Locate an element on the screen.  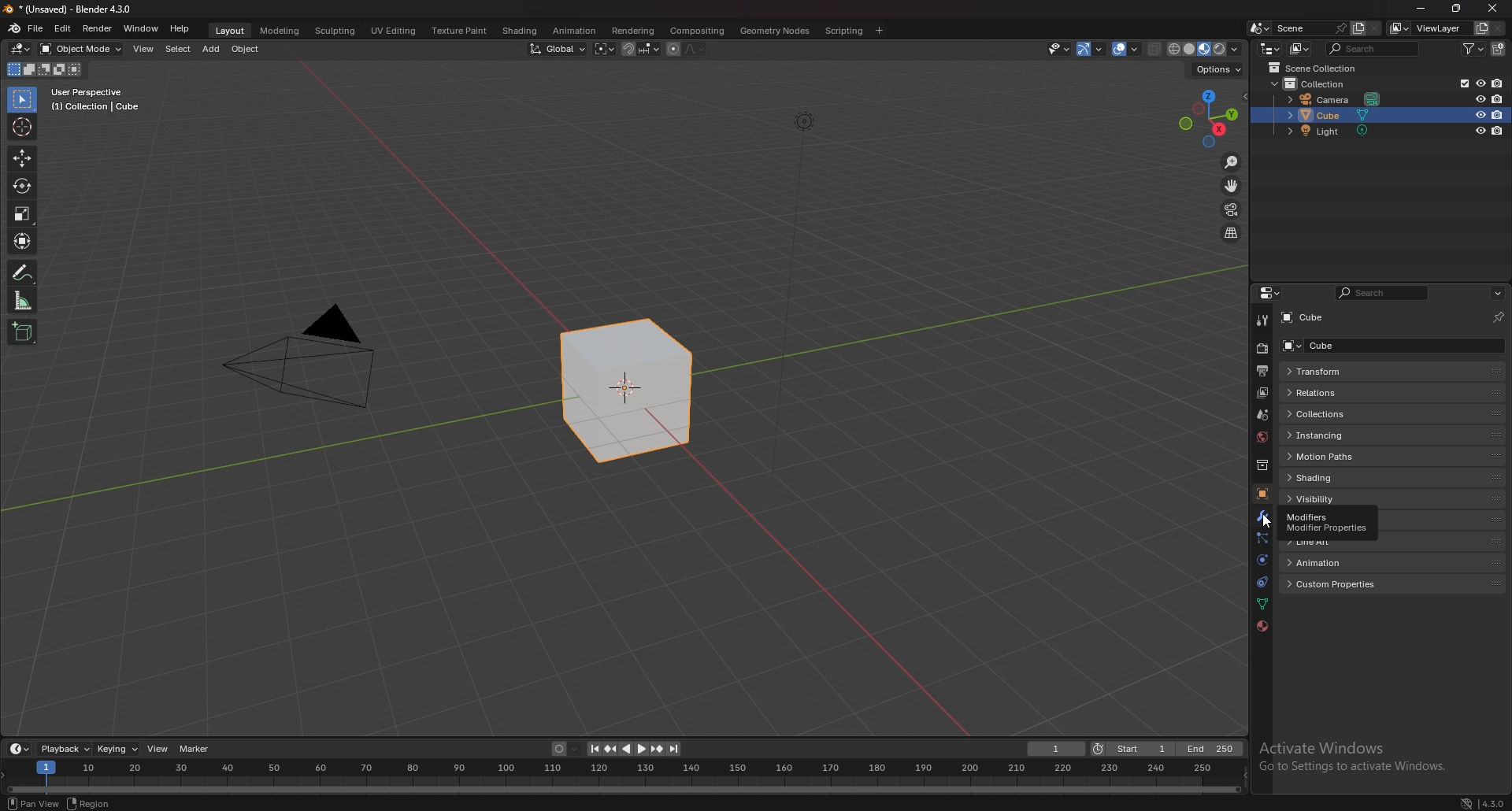
measure is located at coordinates (24, 301).